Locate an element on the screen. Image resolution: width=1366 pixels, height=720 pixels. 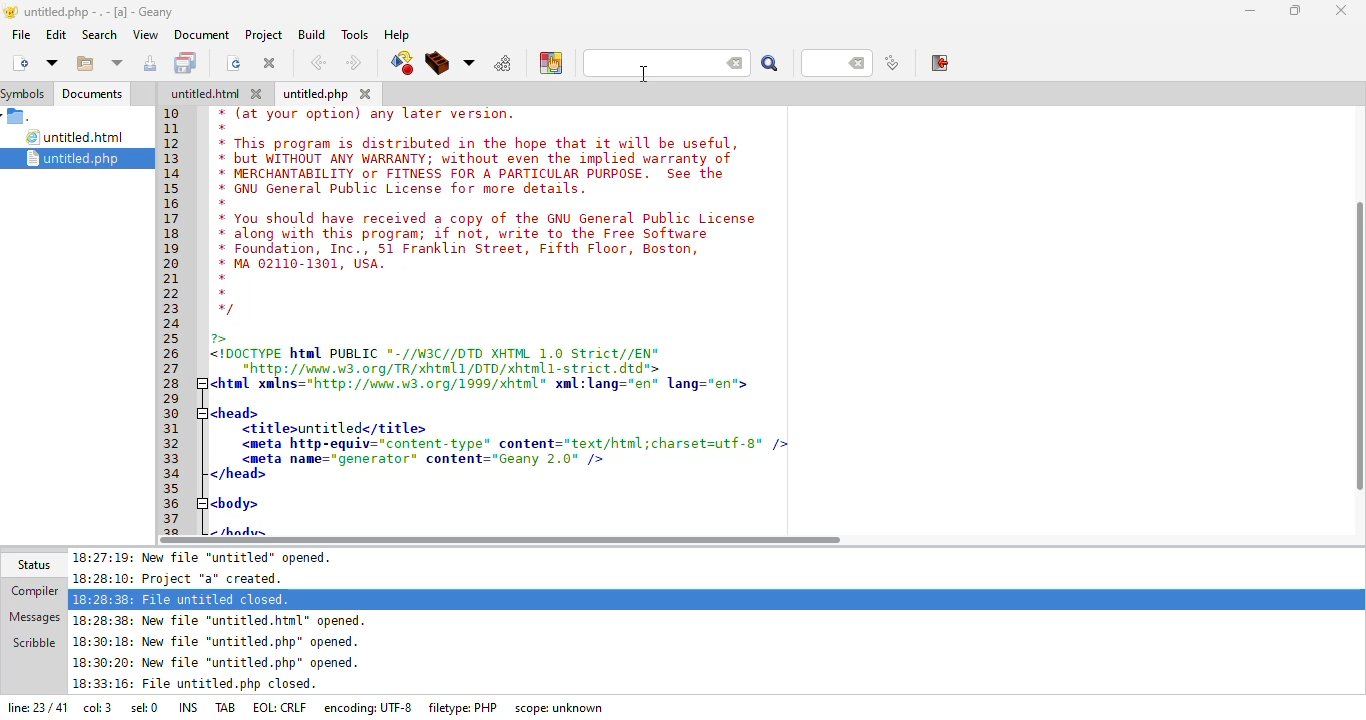
documents is located at coordinates (92, 94).